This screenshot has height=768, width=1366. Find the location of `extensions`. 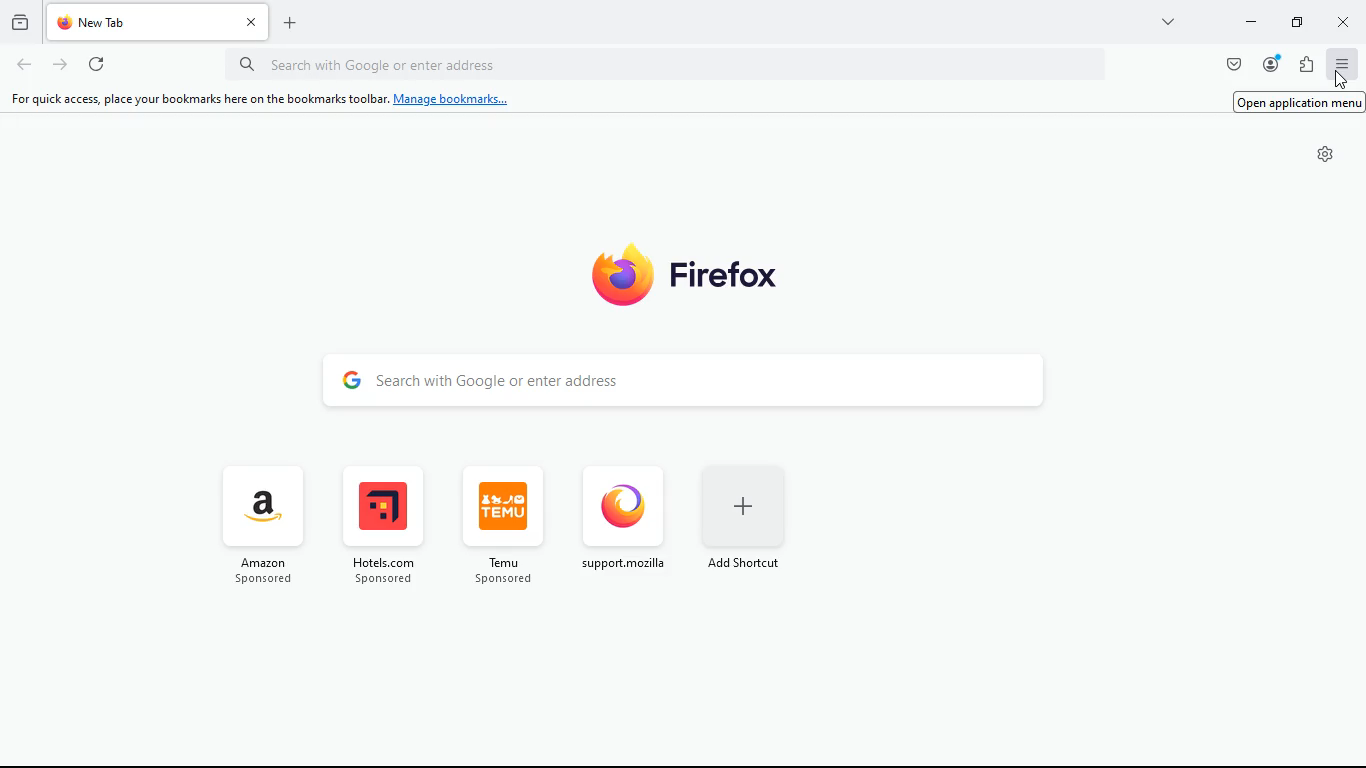

extensions is located at coordinates (1309, 63).